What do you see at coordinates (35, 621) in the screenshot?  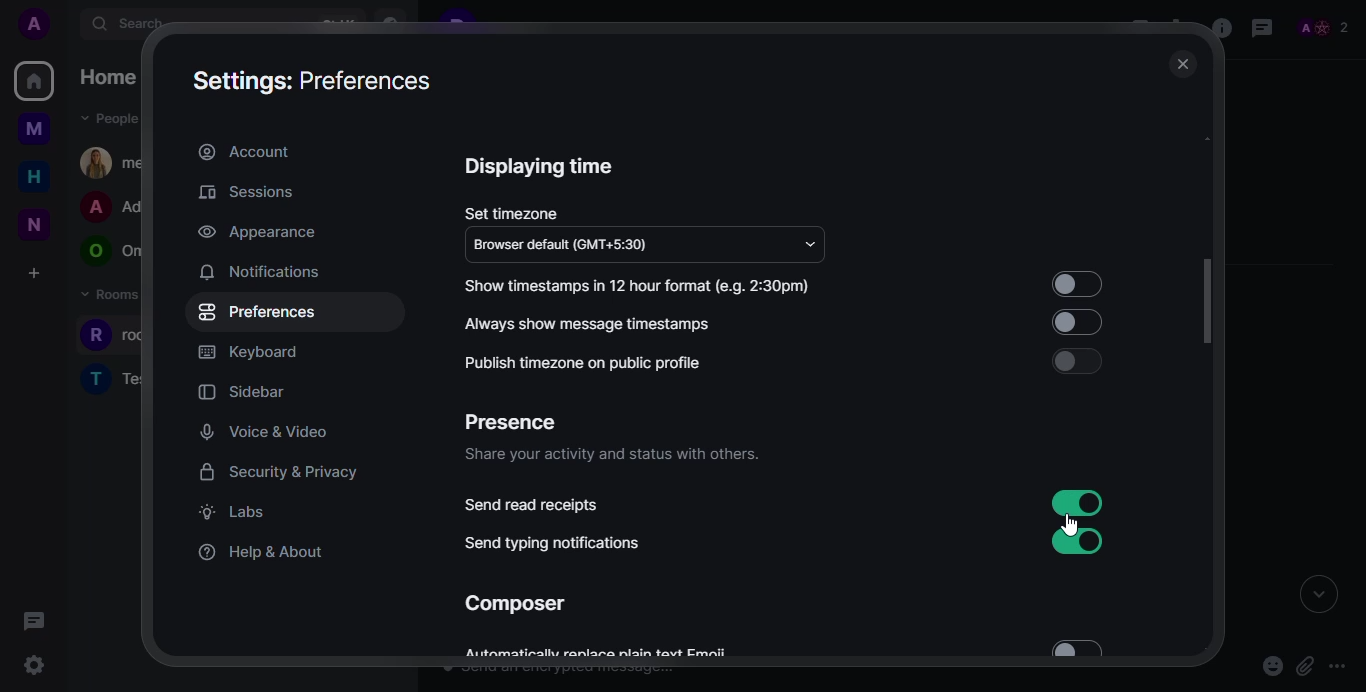 I see `threads` at bounding box center [35, 621].